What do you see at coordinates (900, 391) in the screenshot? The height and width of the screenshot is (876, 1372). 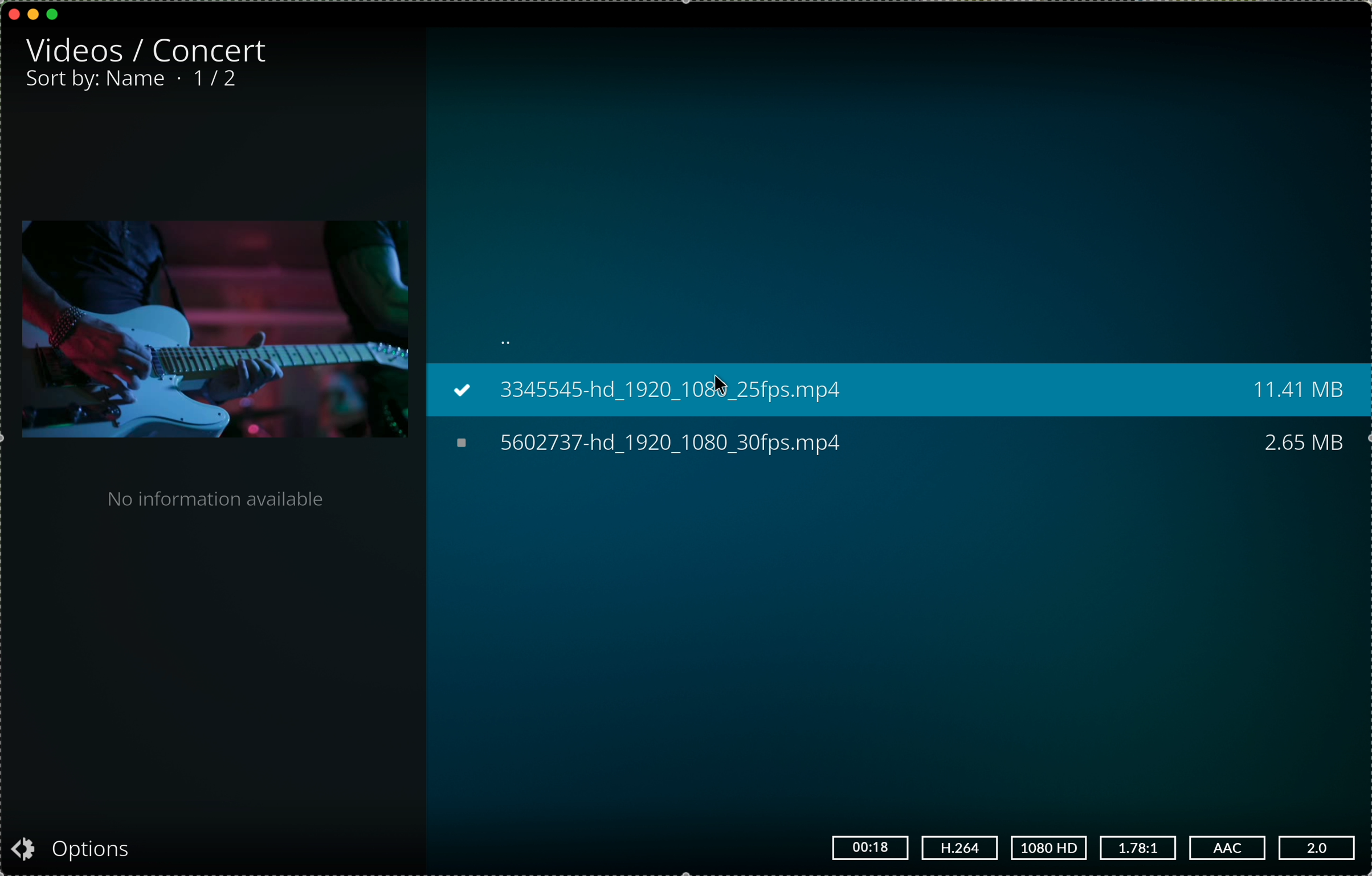 I see `` at bounding box center [900, 391].